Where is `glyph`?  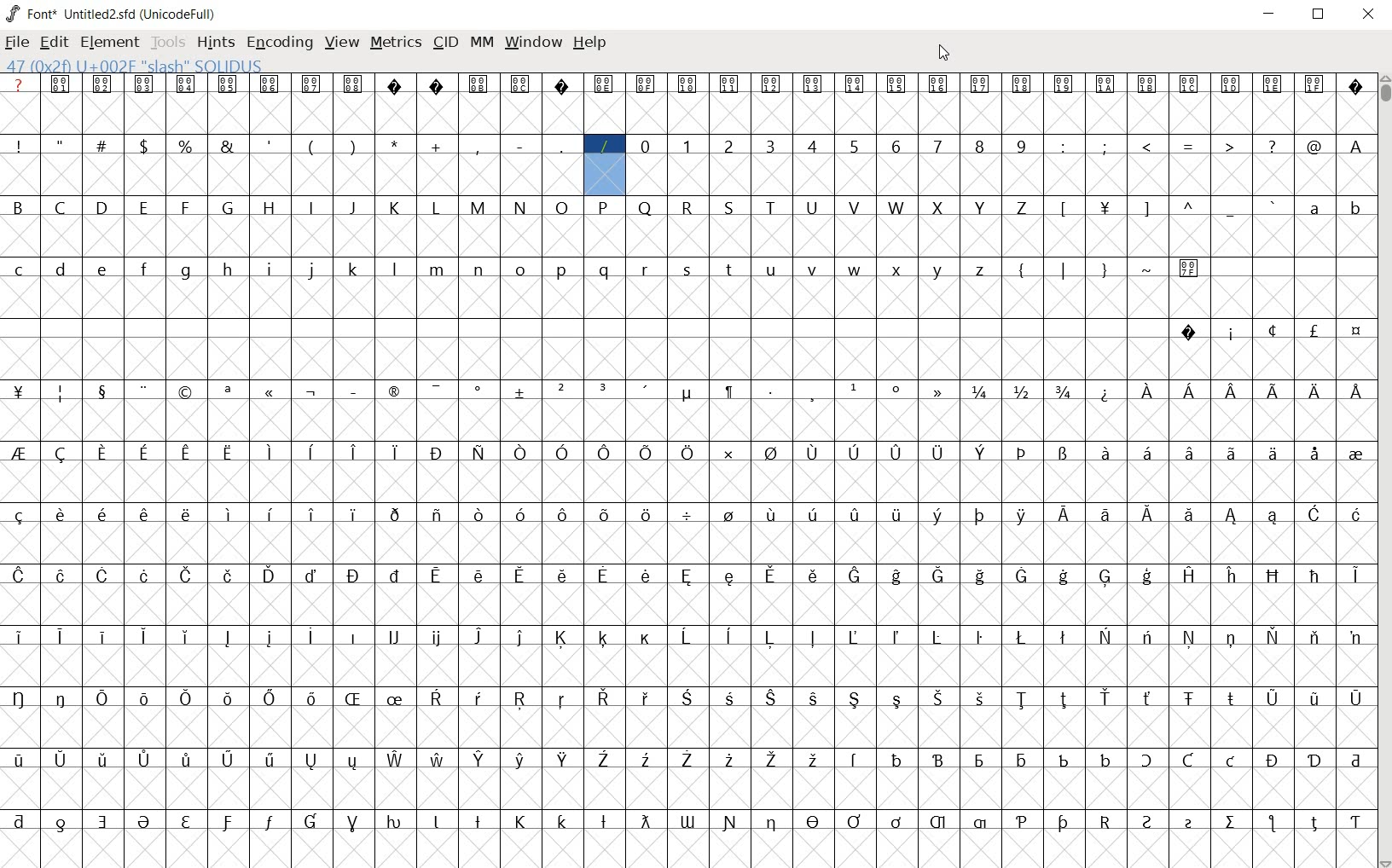
glyph is located at coordinates (770, 698).